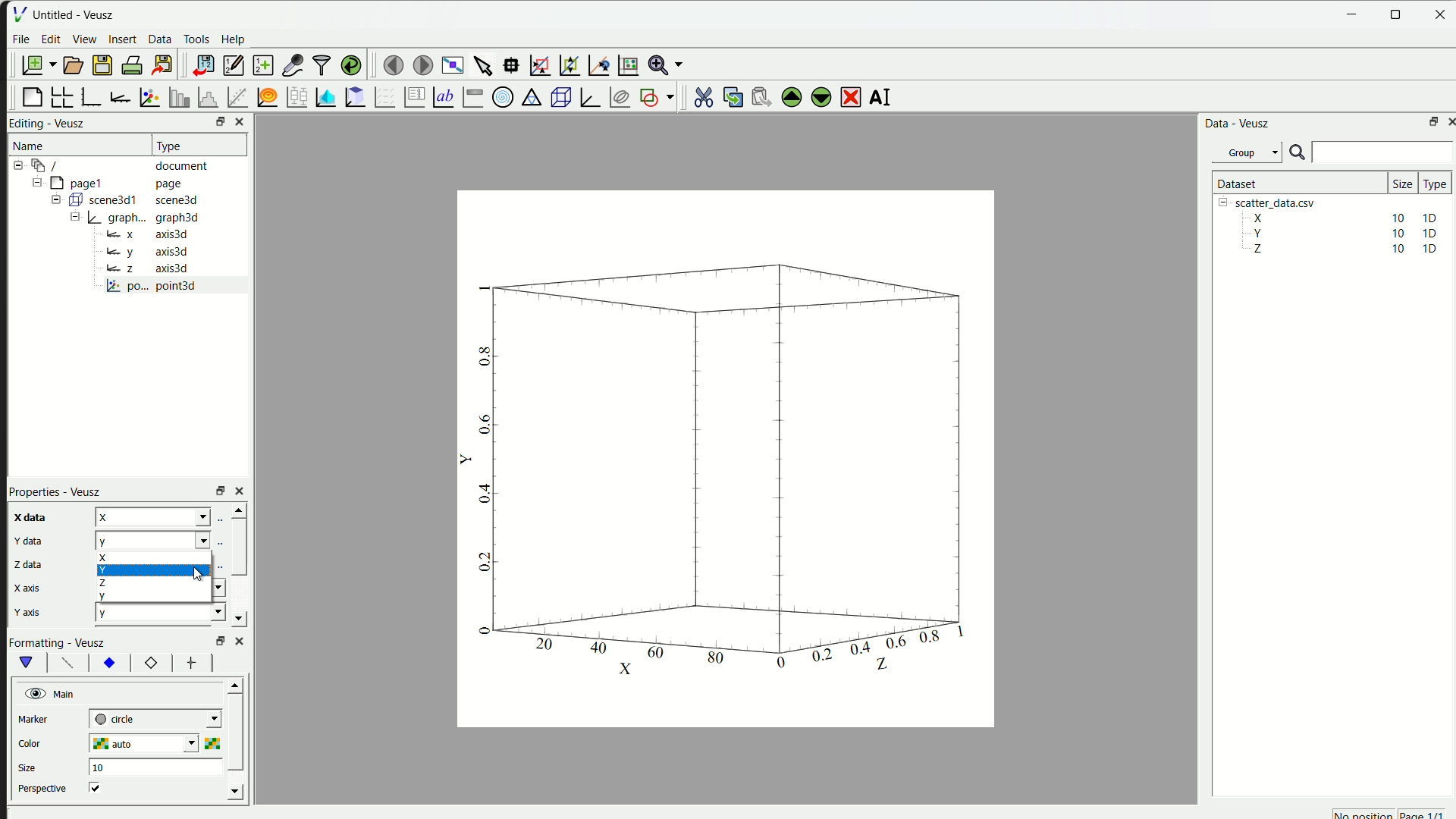 This screenshot has width=1456, height=819. Describe the element at coordinates (28, 98) in the screenshot. I see `blank page` at that location.